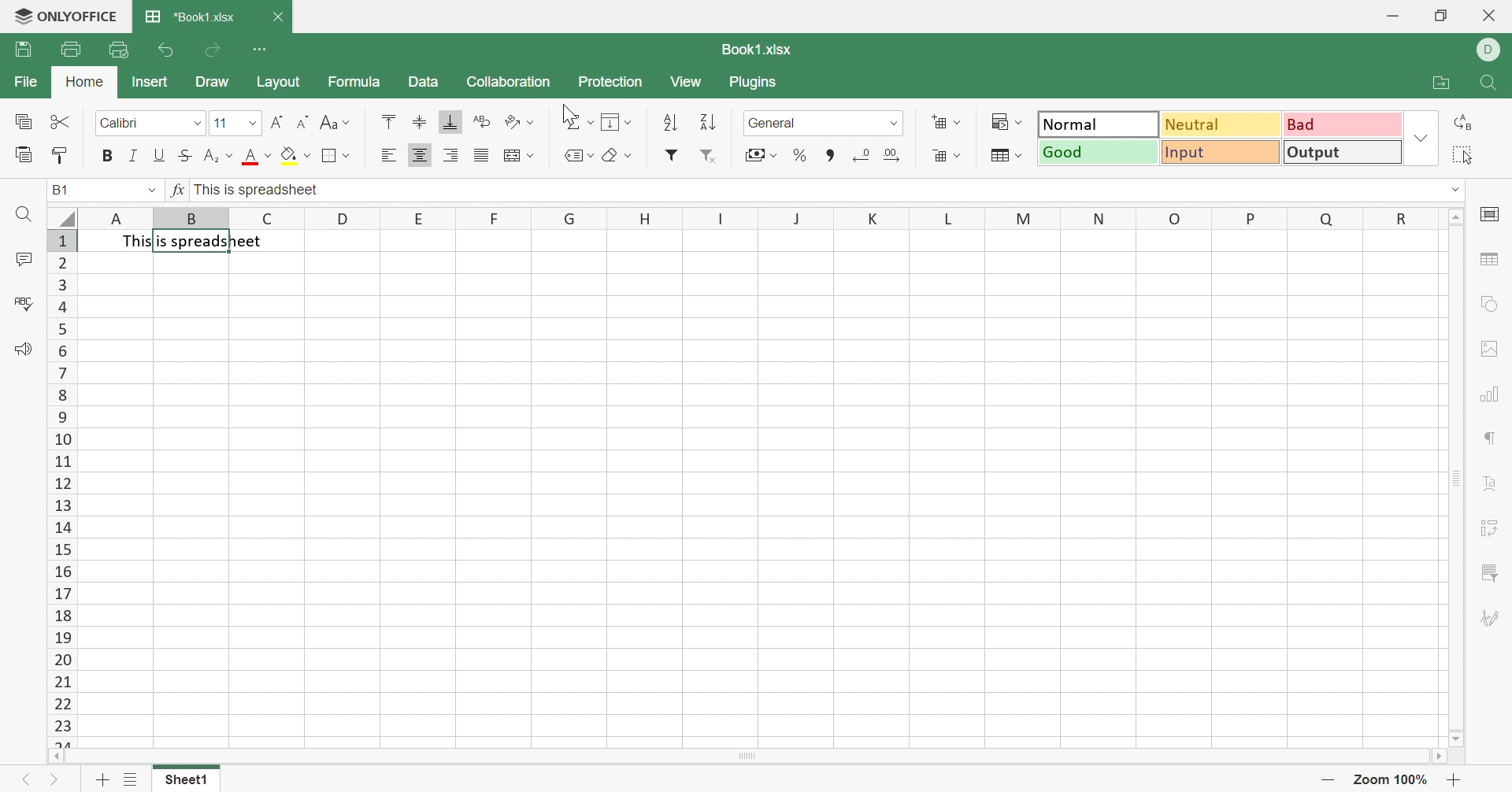 This screenshot has width=1512, height=792. Describe the element at coordinates (1492, 437) in the screenshot. I see `paragraph settings` at that location.